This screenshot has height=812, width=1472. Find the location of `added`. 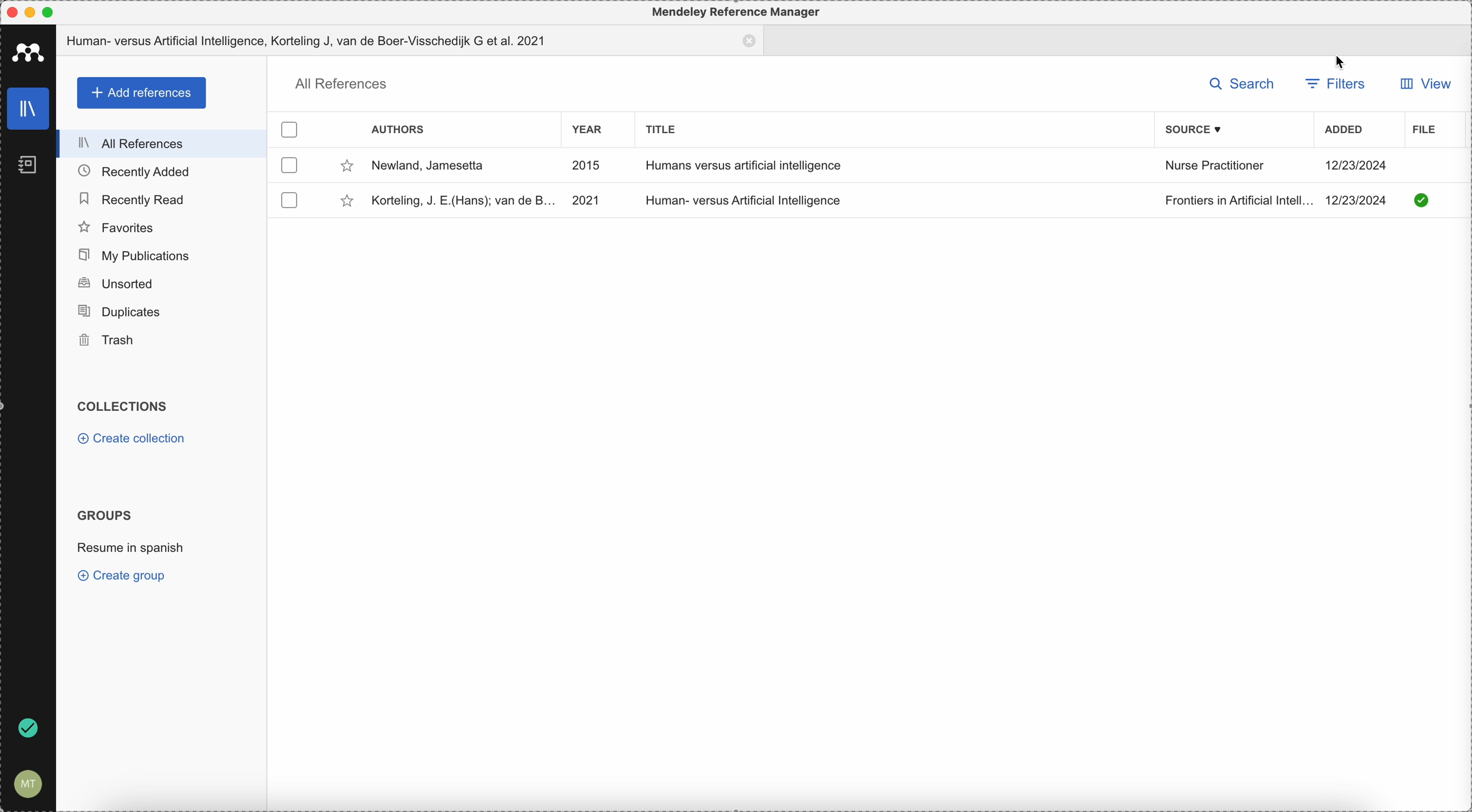

added is located at coordinates (1347, 130).